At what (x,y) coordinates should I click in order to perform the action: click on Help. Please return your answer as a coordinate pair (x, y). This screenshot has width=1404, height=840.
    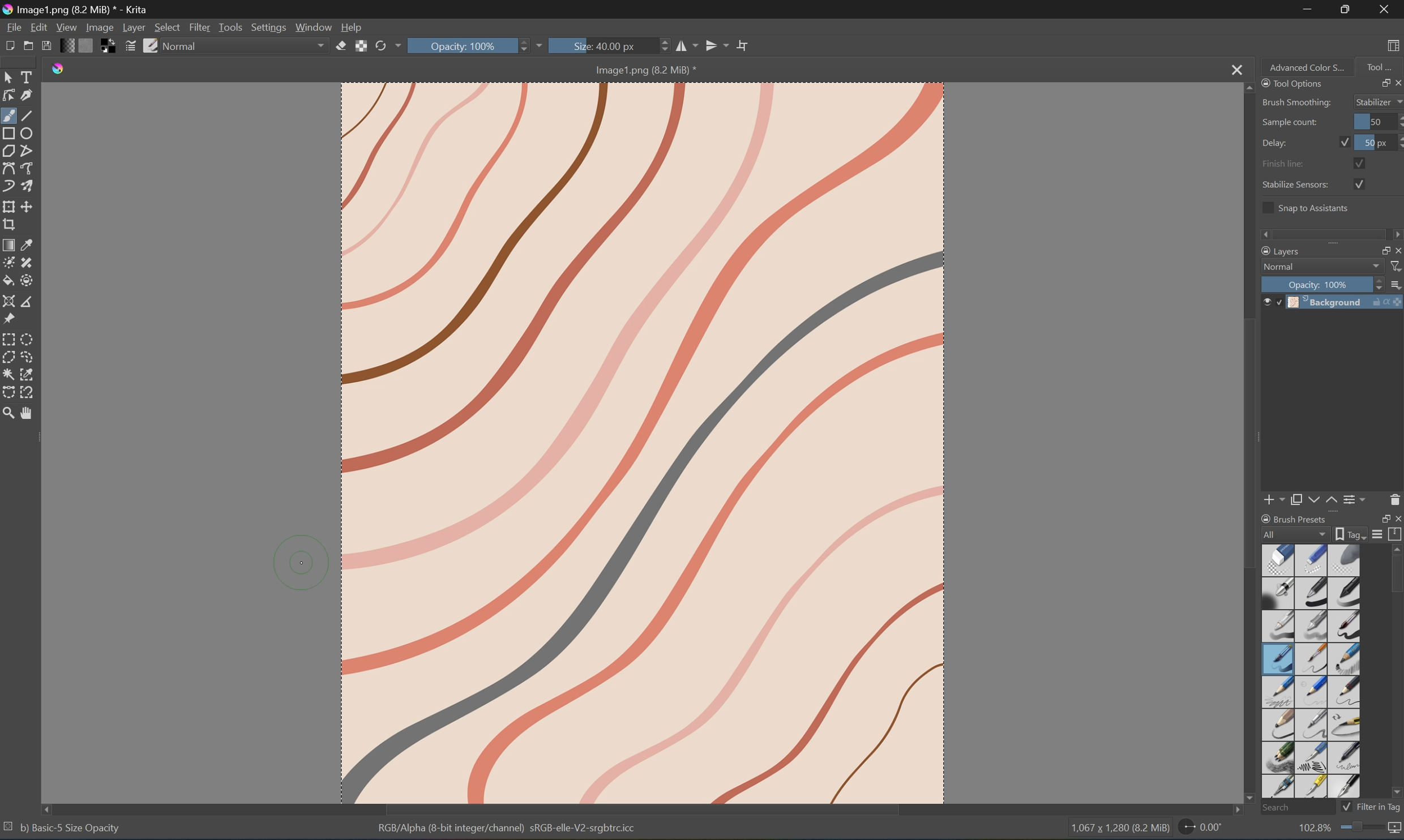
    Looking at the image, I should click on (354, 28).